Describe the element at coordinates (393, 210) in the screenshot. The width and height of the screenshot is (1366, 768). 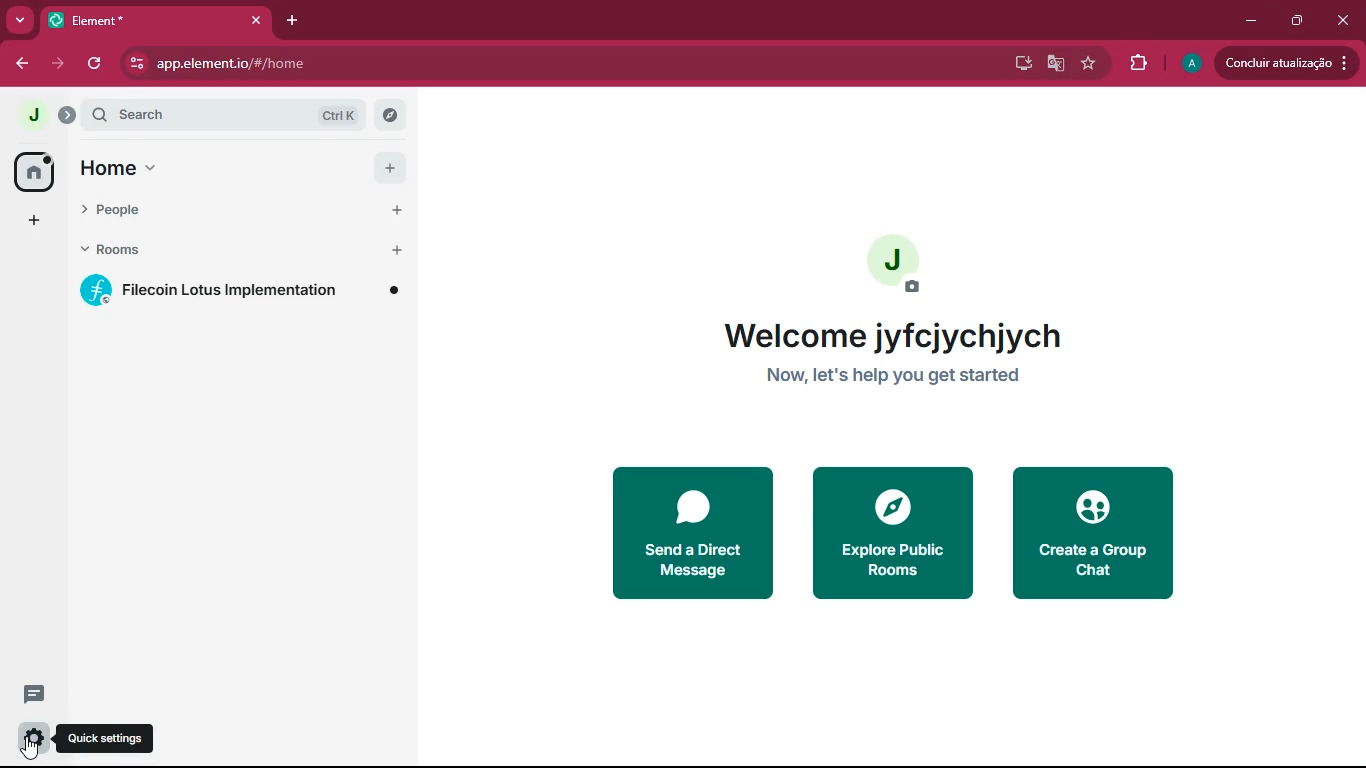
I see `add button` at that location.